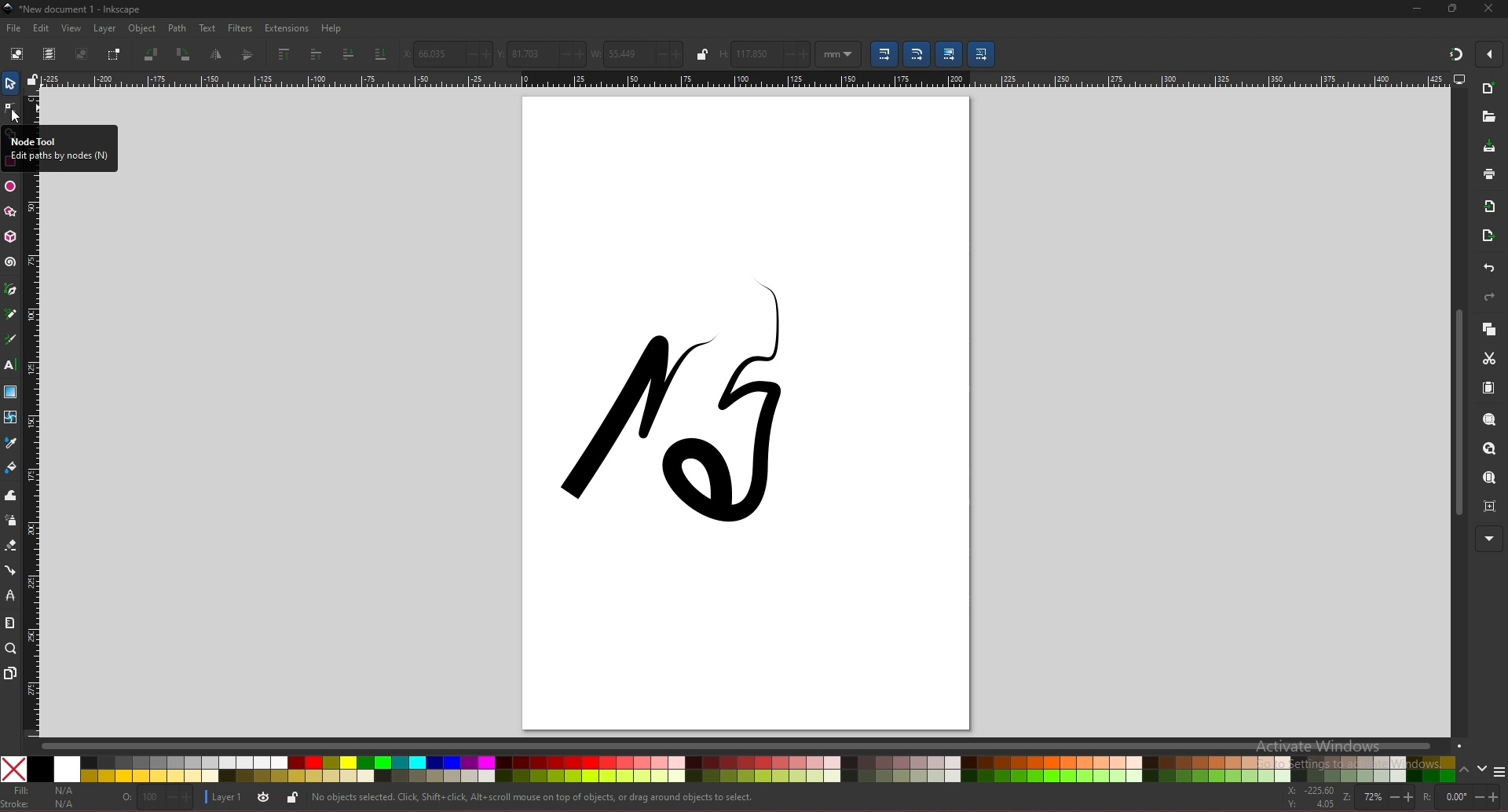 Image resolution: width=1508 pixels, height=812 pixels. What do you see at coordinates (1456, 411) in the screenshot?
I see `scroll bar` at bounding box center [1456, 411].